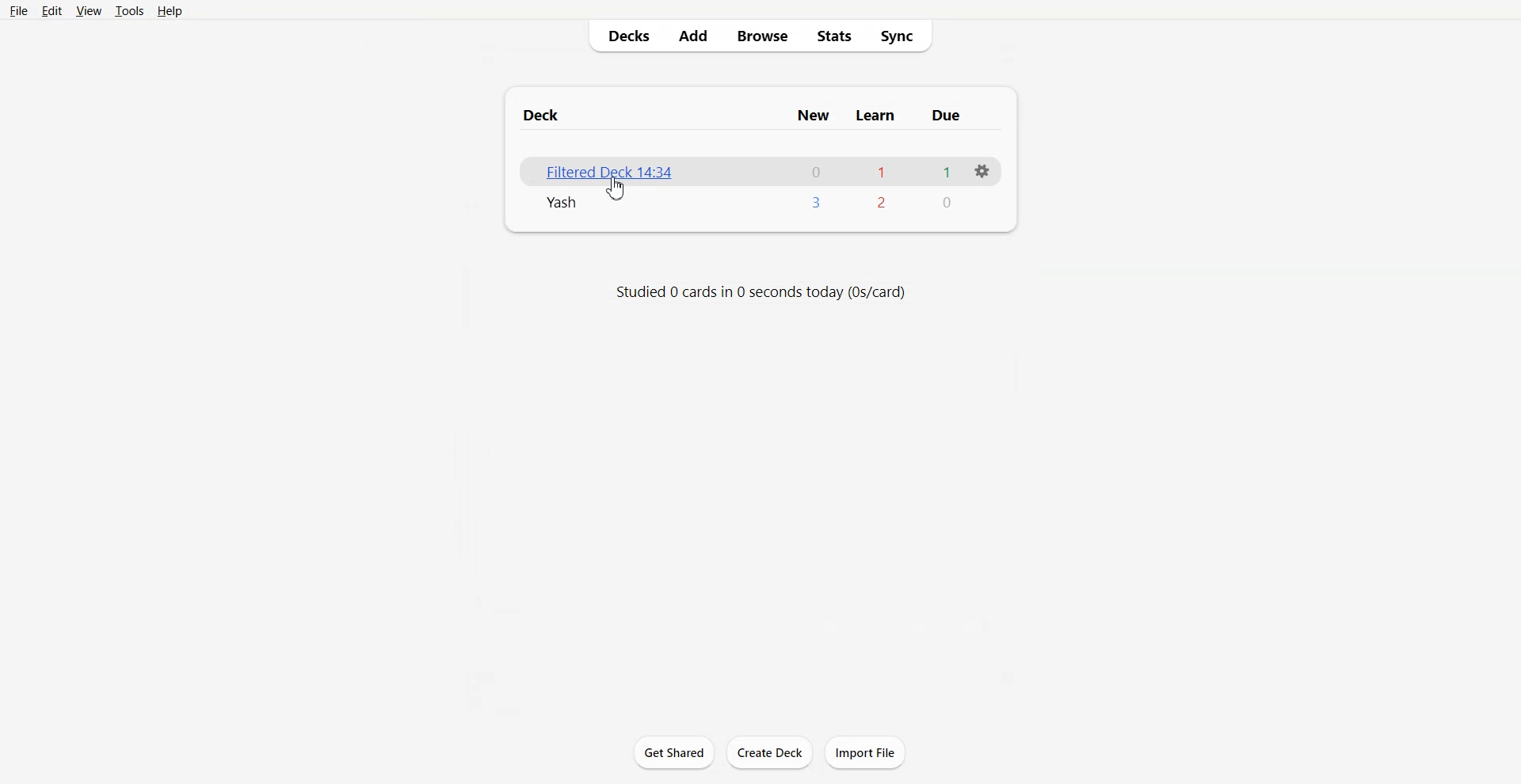 The height and width of the screenshot is (784, 1521). Describe the element at coordinates (169, 10) in the screenshot. I see `Help` at that location.